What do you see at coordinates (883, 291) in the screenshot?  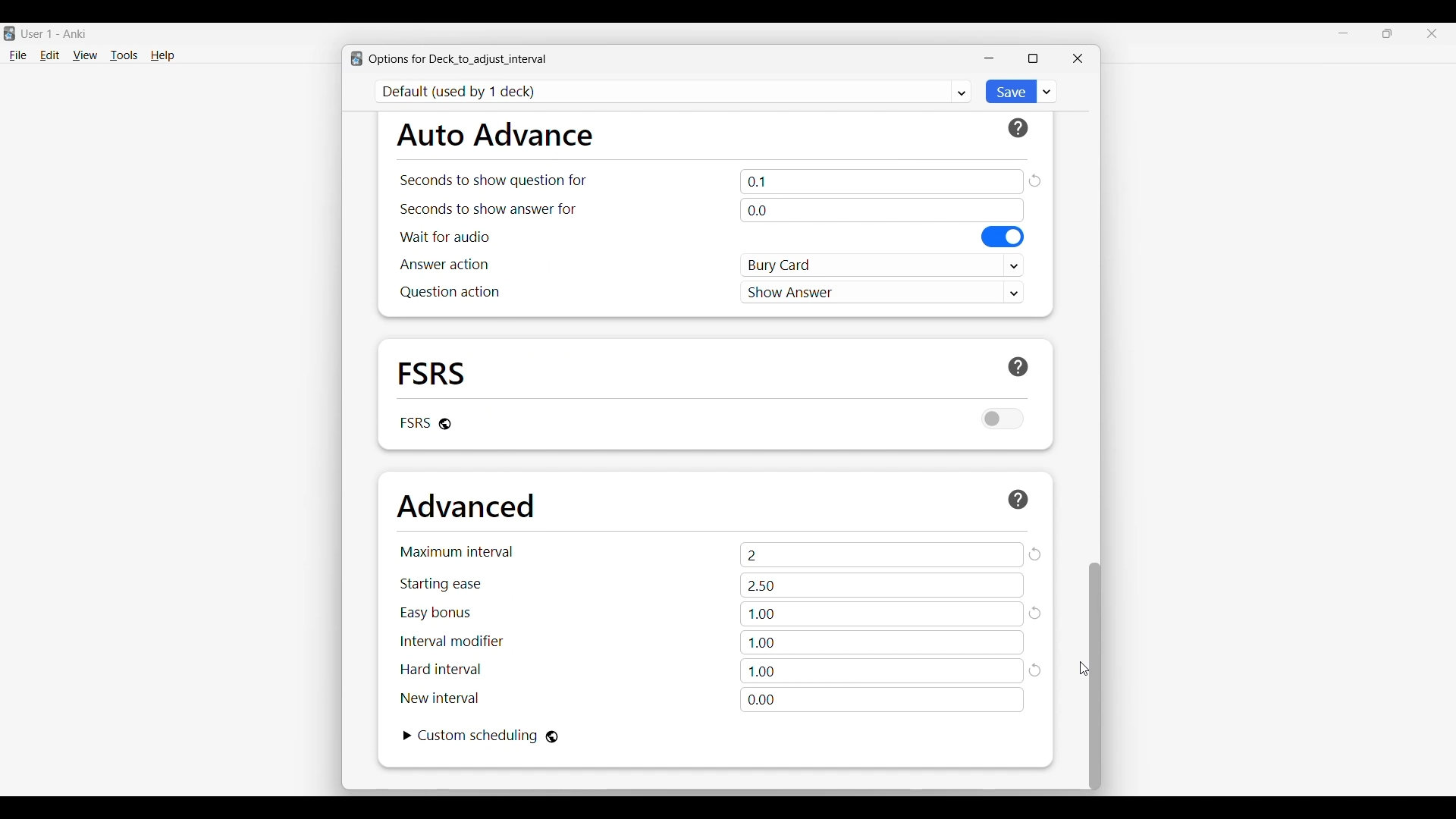 I see `Show Answer` at bounding box center [883, 291].